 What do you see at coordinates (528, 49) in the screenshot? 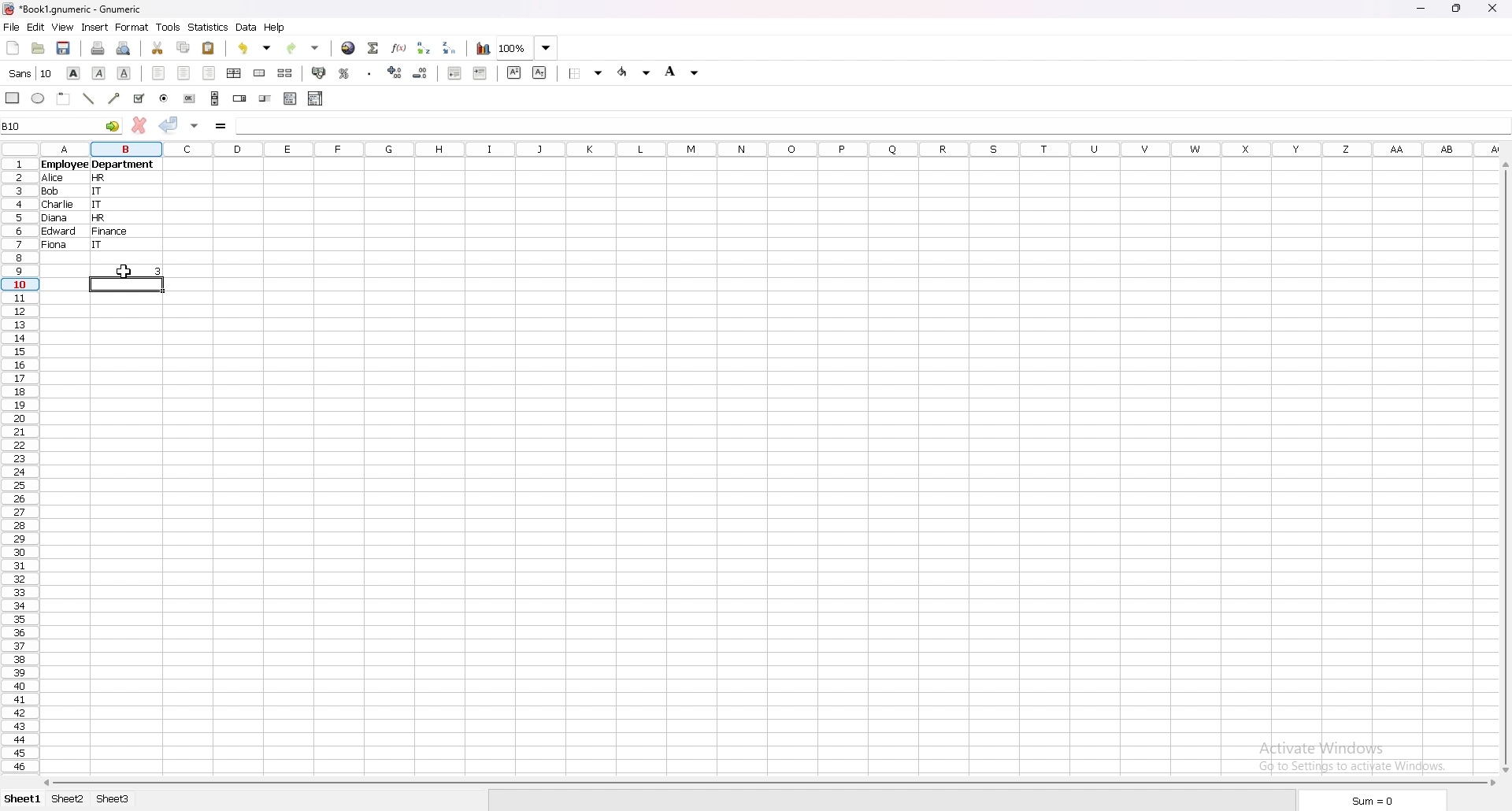
I see `zoom` at bounding box center [528, 49].